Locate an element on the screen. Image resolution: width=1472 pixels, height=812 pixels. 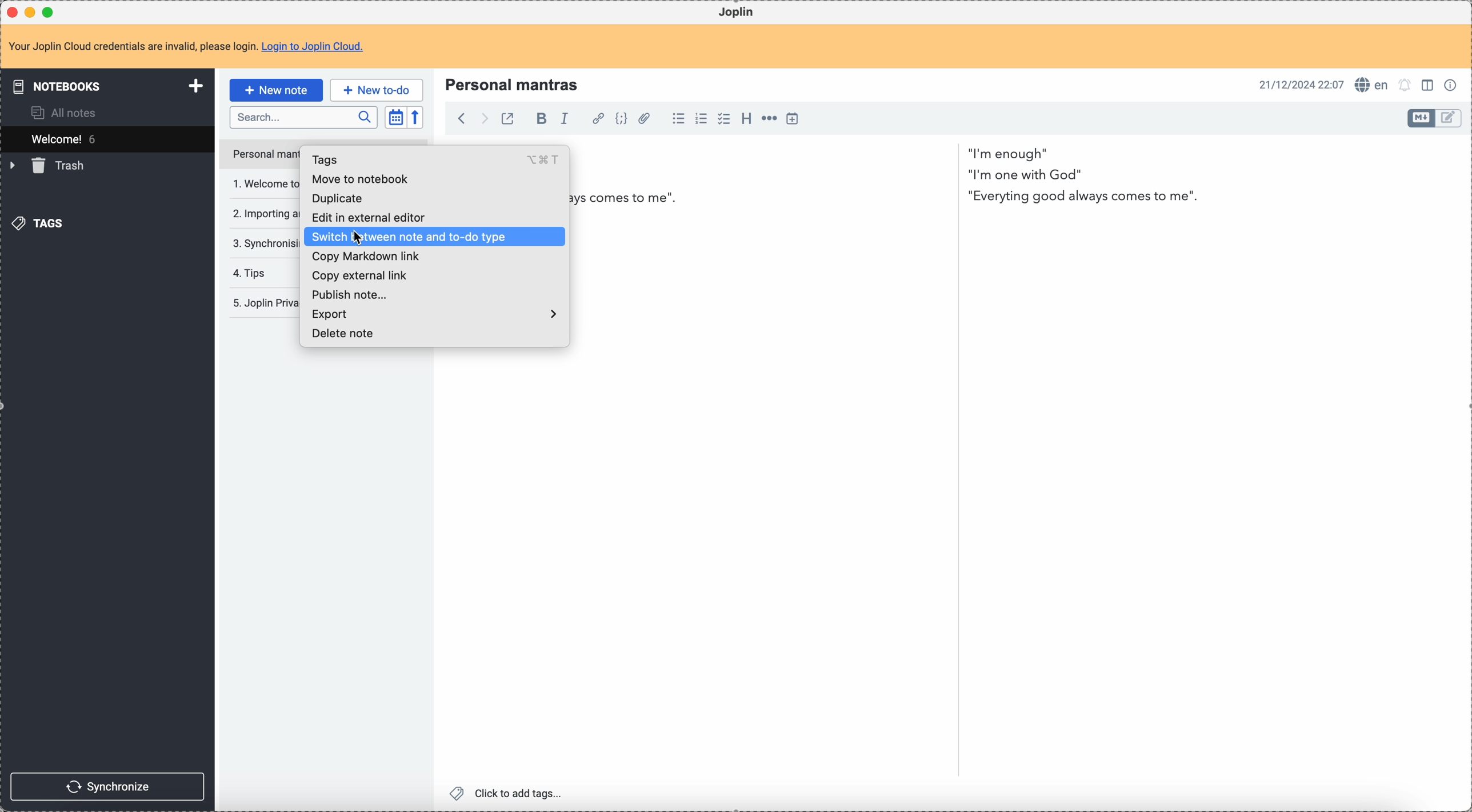
back is located at coordinates (461, 119).